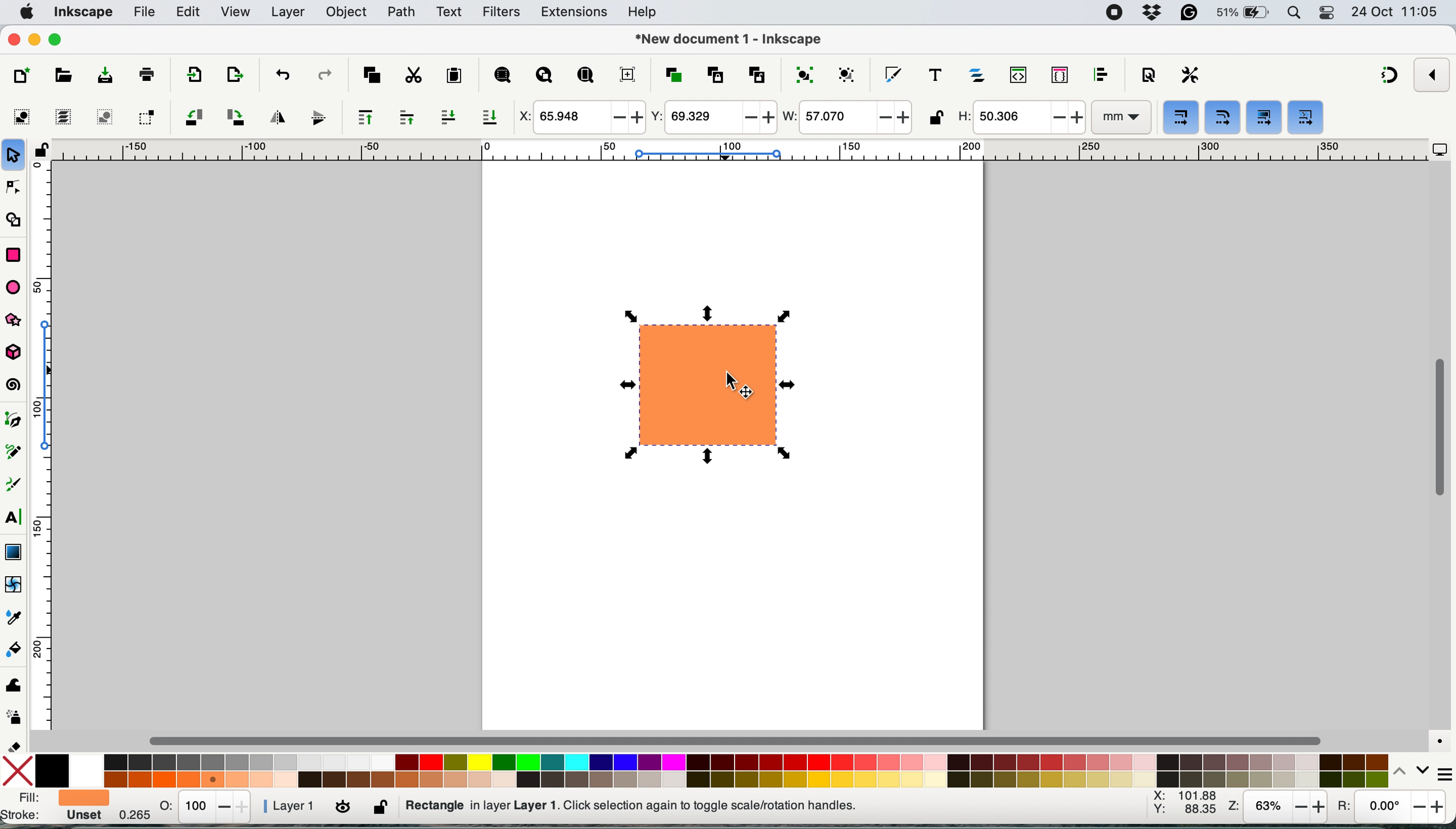  Describe the element at coordinates (739, 153) in the screenshot. I see `horizontal scale` at that location.